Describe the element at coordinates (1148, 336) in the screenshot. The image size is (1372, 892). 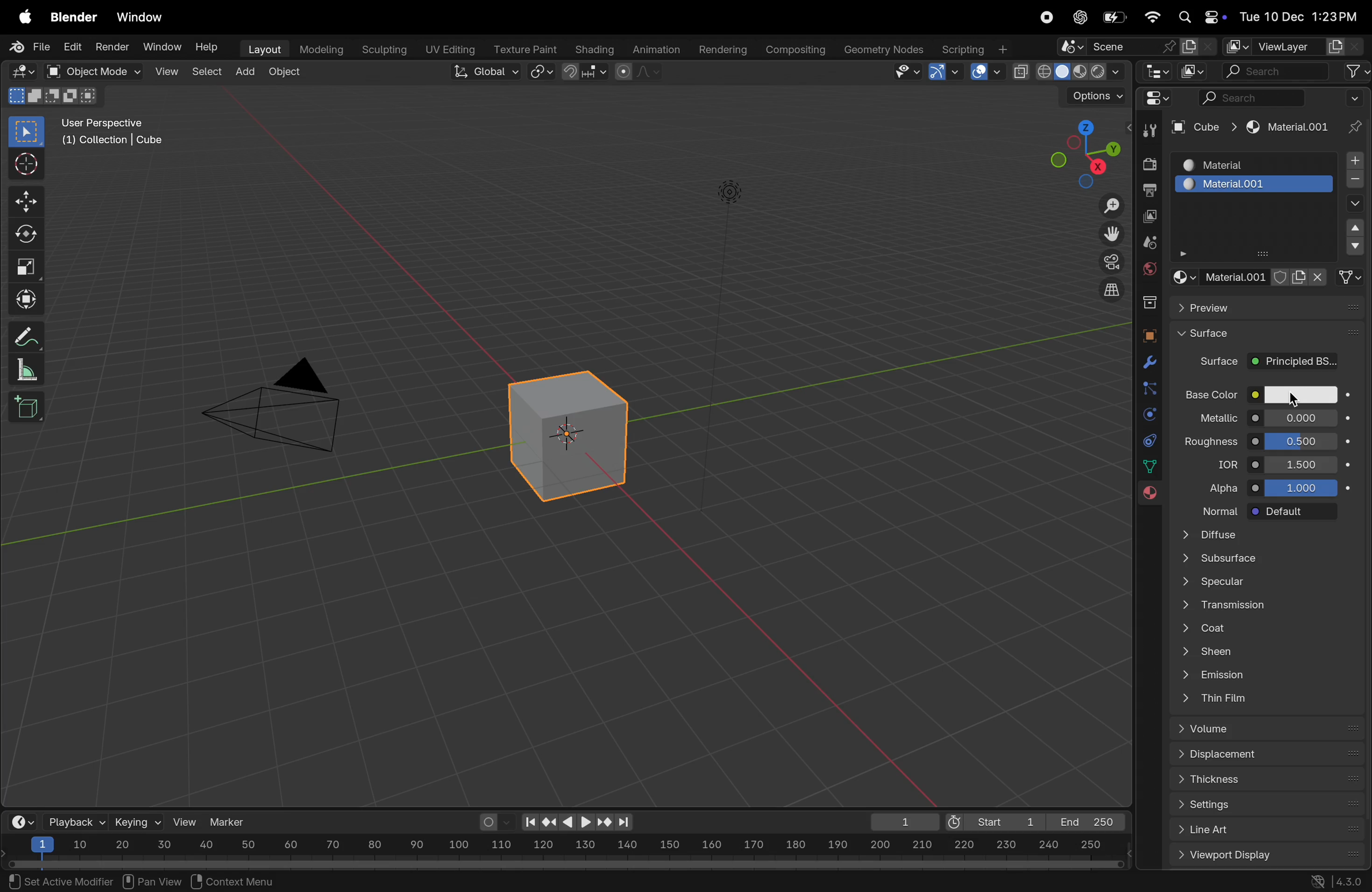
I see `object` at that location.